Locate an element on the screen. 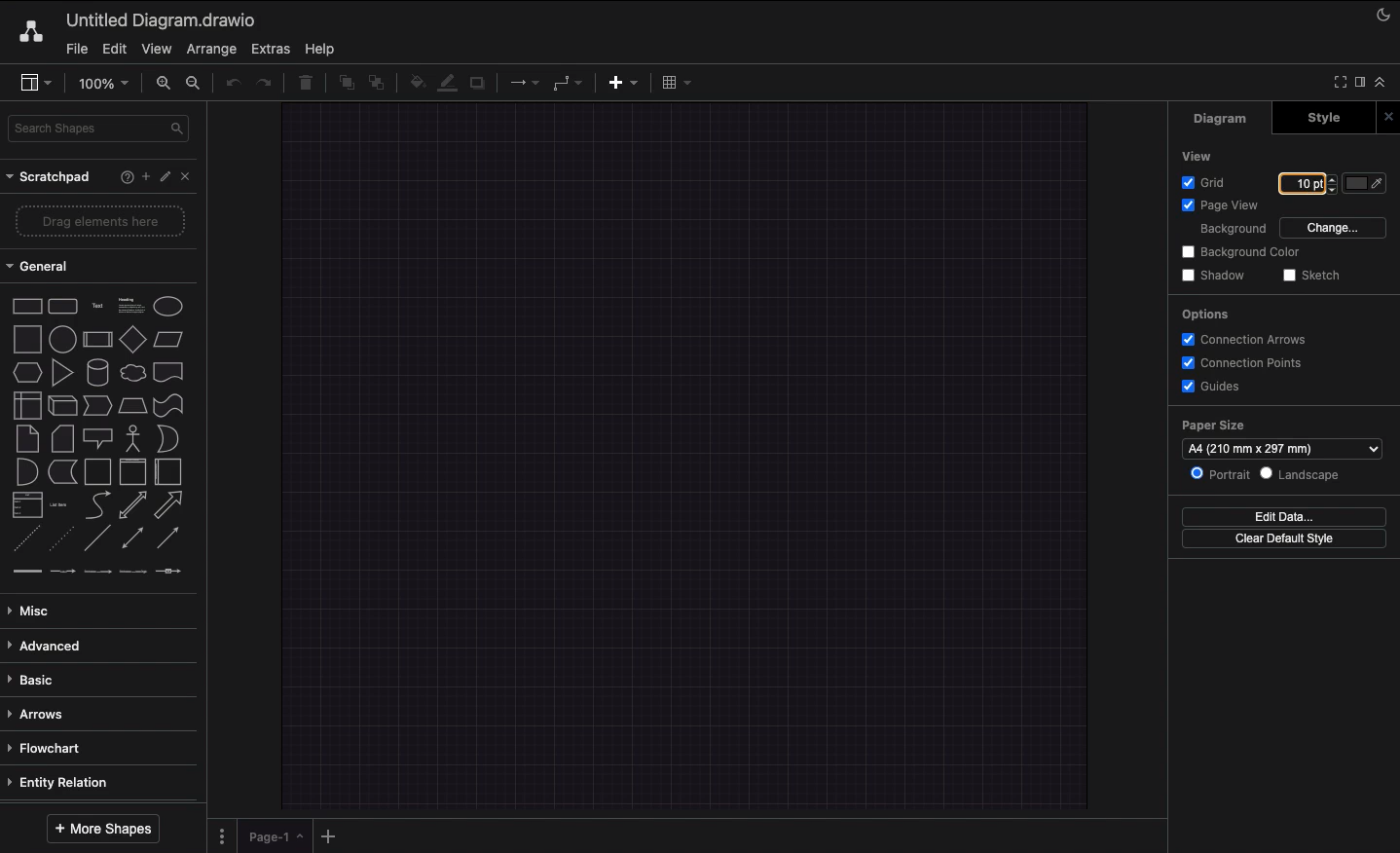  Paper size is located at coordinates (1280, 438).